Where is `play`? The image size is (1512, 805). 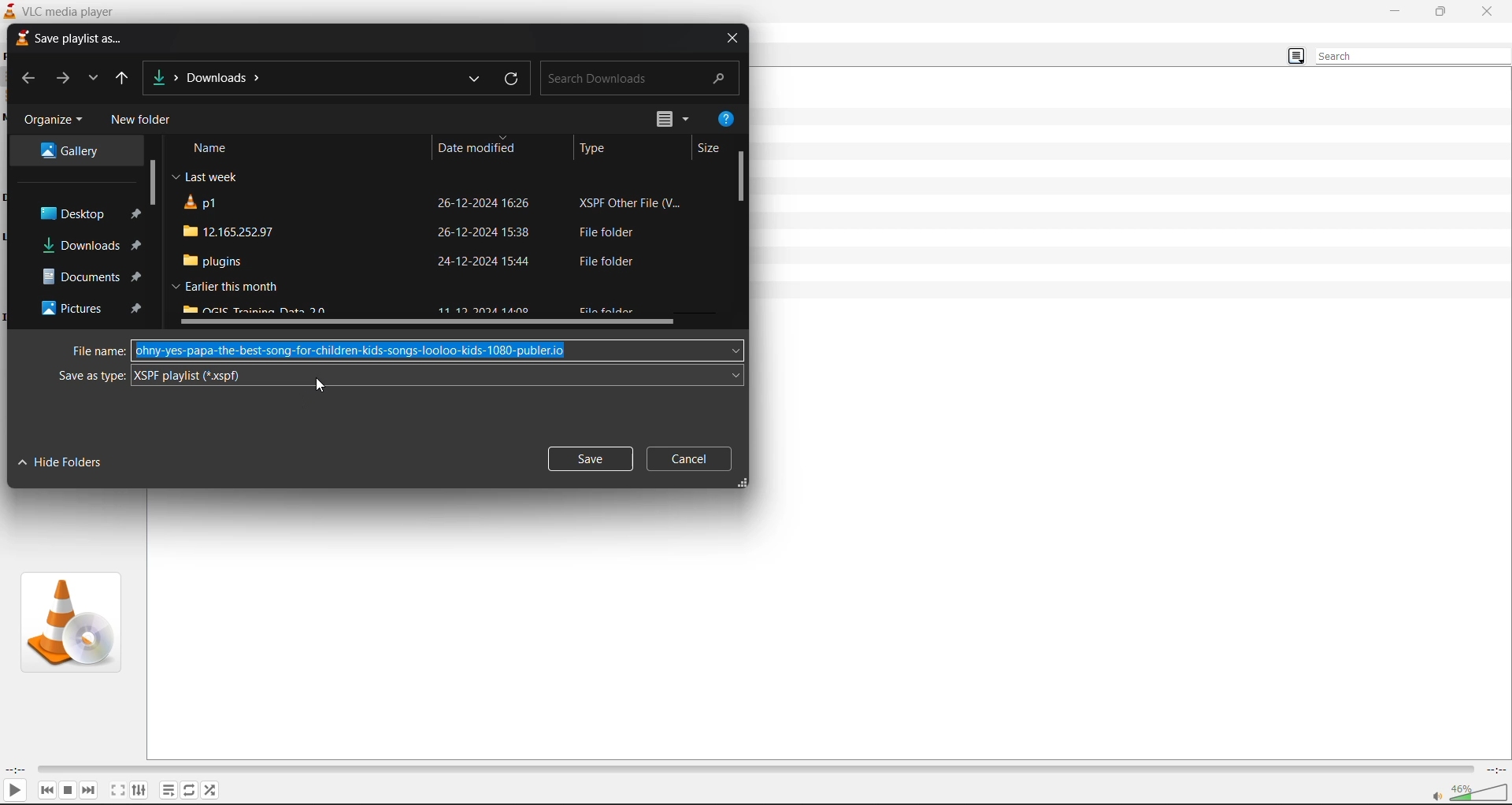 play is located at coordinates (17, 789).